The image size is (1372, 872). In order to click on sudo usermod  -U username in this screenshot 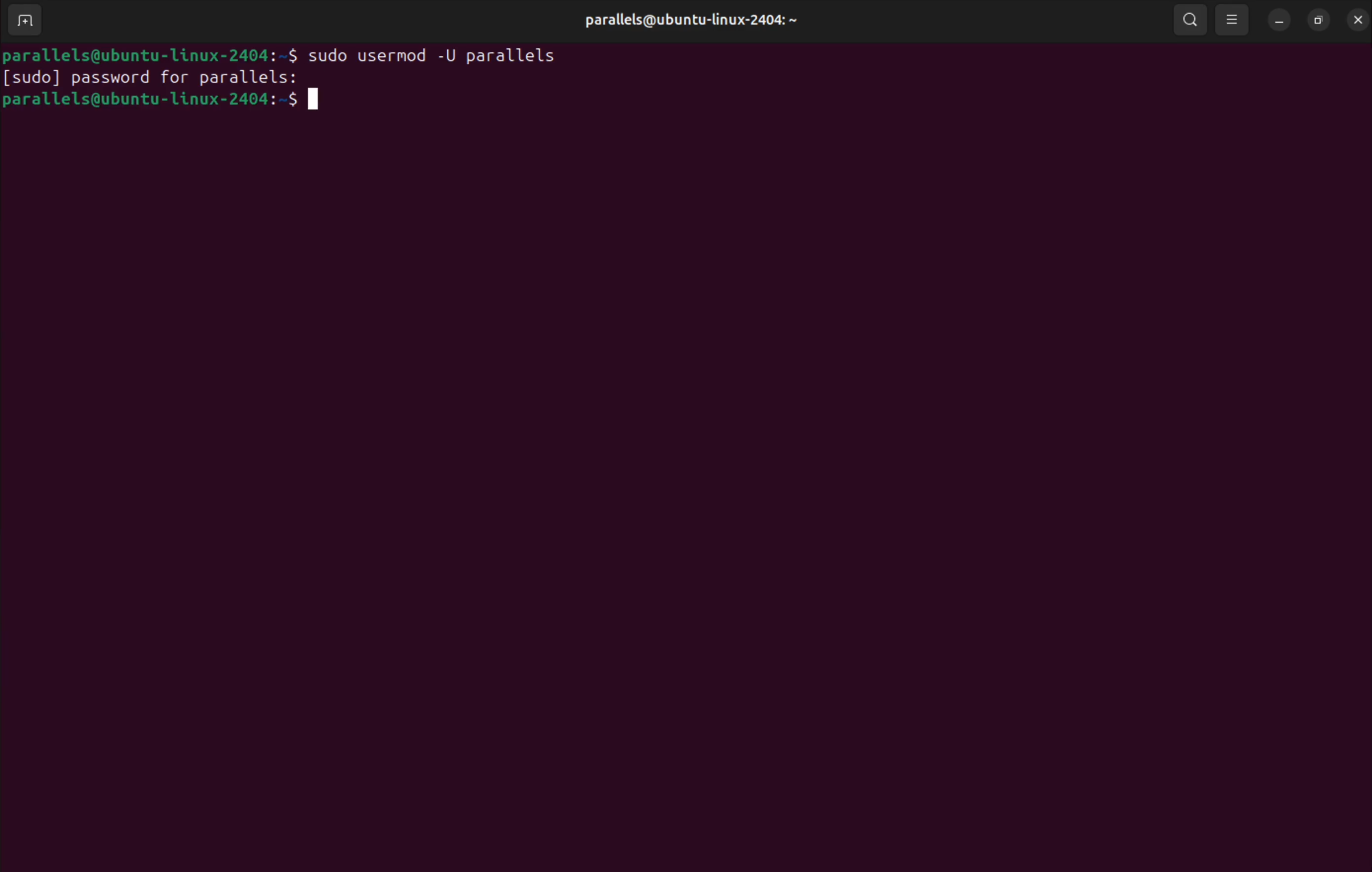, I will do `click(444, 53)`.